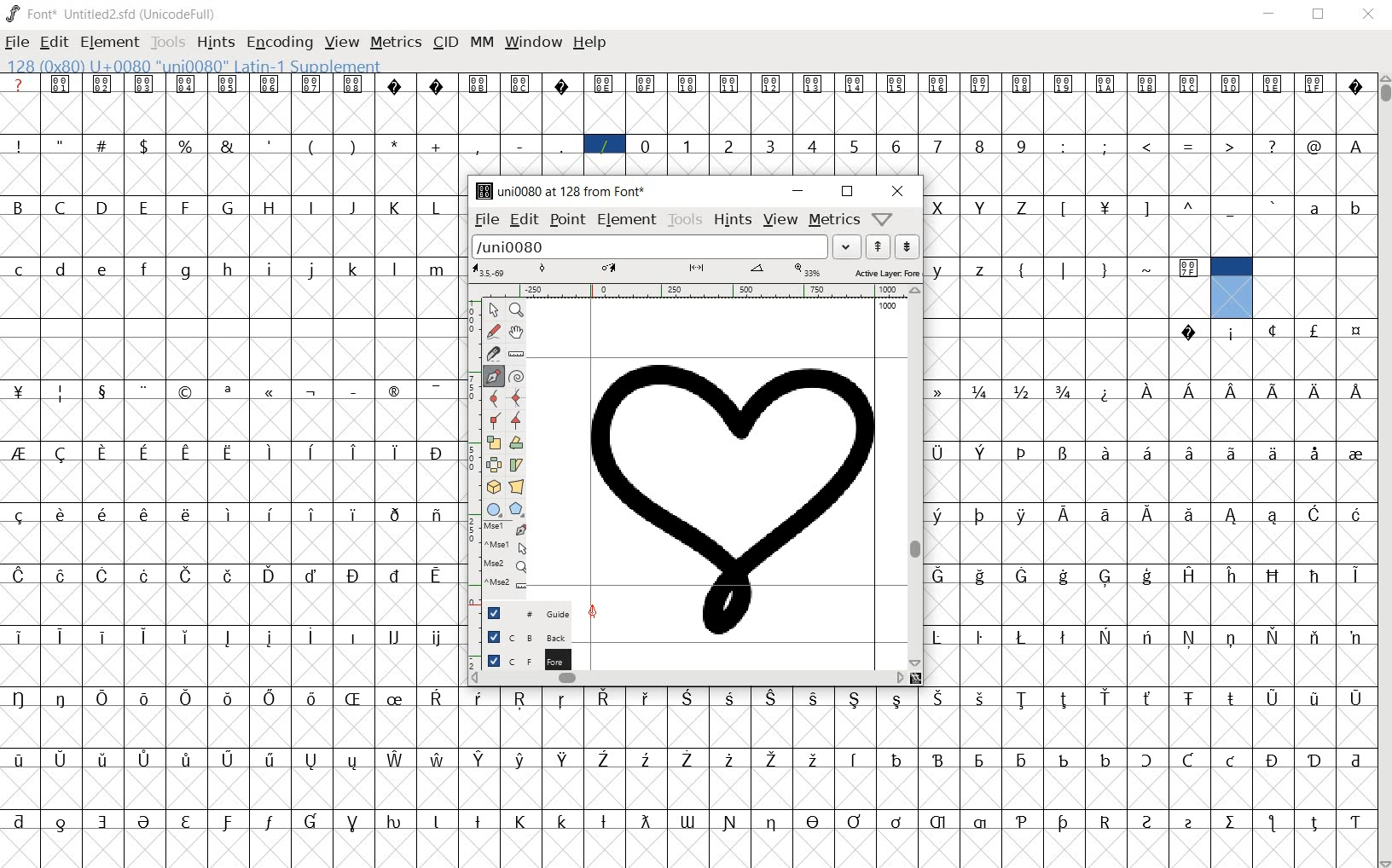 The width and height of the screenshot is (1392, 868). Describe the element at coordinates (591, 44) in the screenshot. I see `HELP` at that location.